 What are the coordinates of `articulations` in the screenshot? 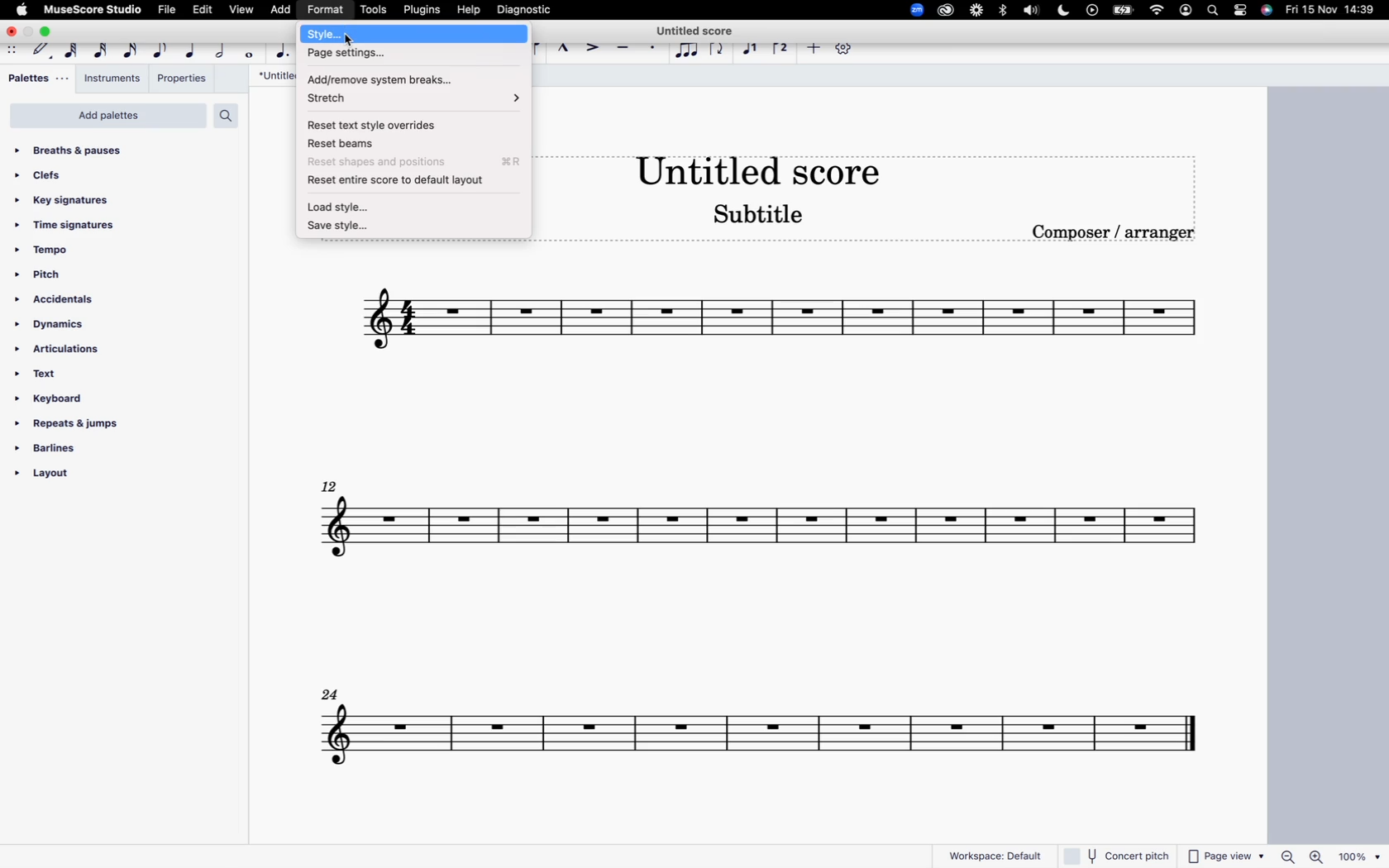 It's located at (63, 351).